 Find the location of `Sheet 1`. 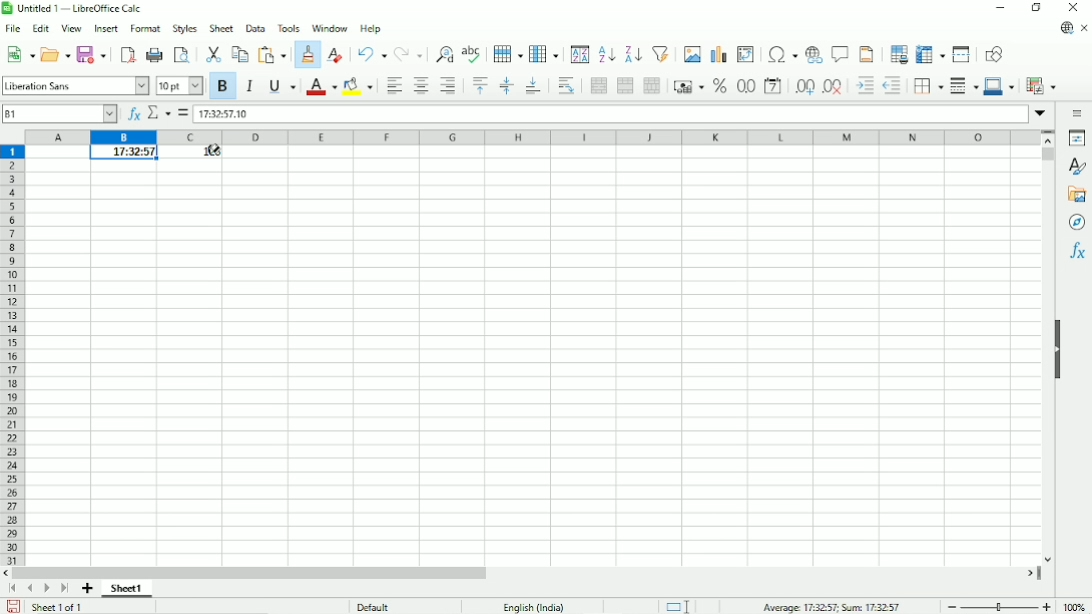

Sheet 1 is located at coordinates (127, 590).